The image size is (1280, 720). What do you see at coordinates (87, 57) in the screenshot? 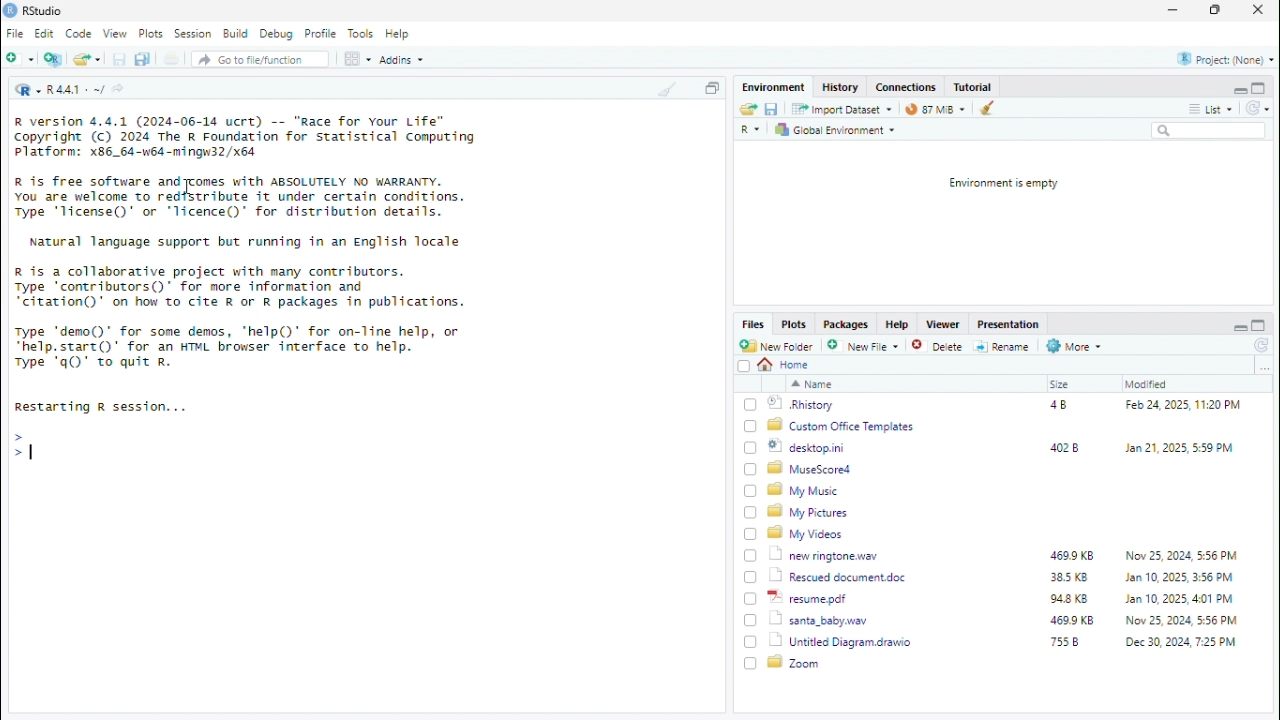
I see `open file` at bounding box center [87, 57].